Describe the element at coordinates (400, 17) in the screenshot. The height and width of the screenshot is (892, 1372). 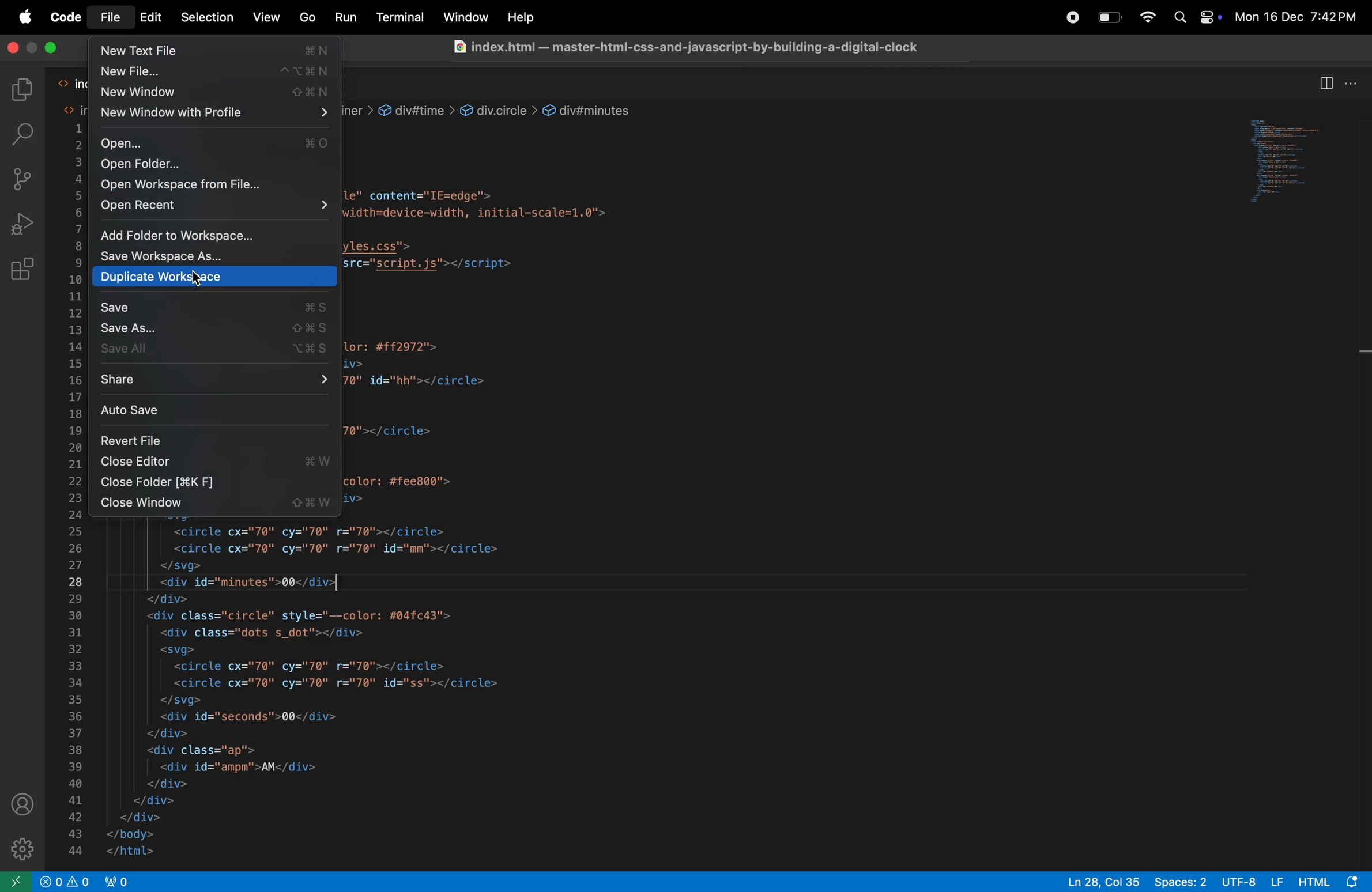
I see `Terminal` at that location.